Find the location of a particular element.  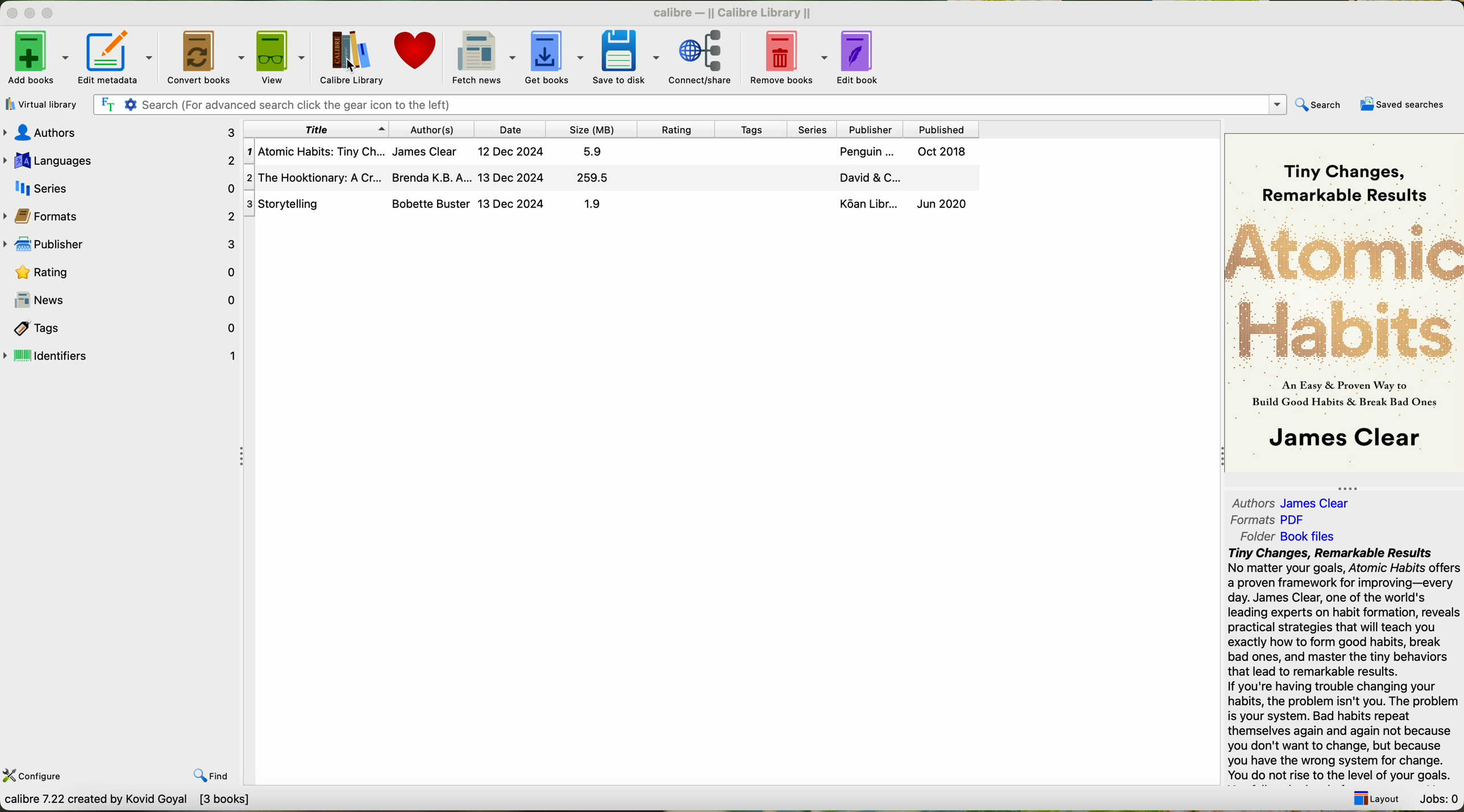

folder is located at coordinates (1255, 537).